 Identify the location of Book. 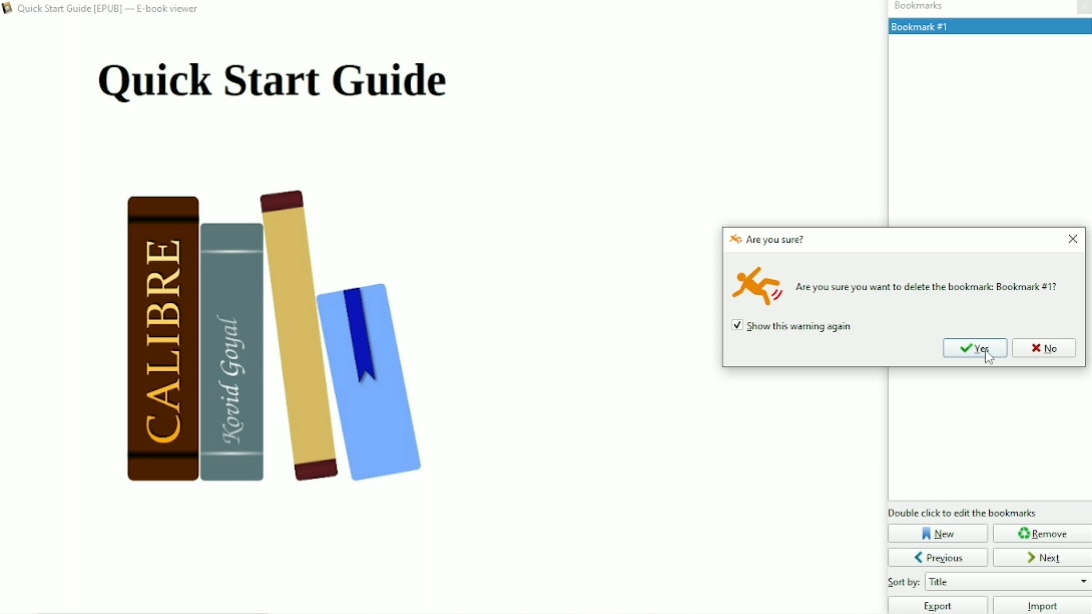
(290, 343).